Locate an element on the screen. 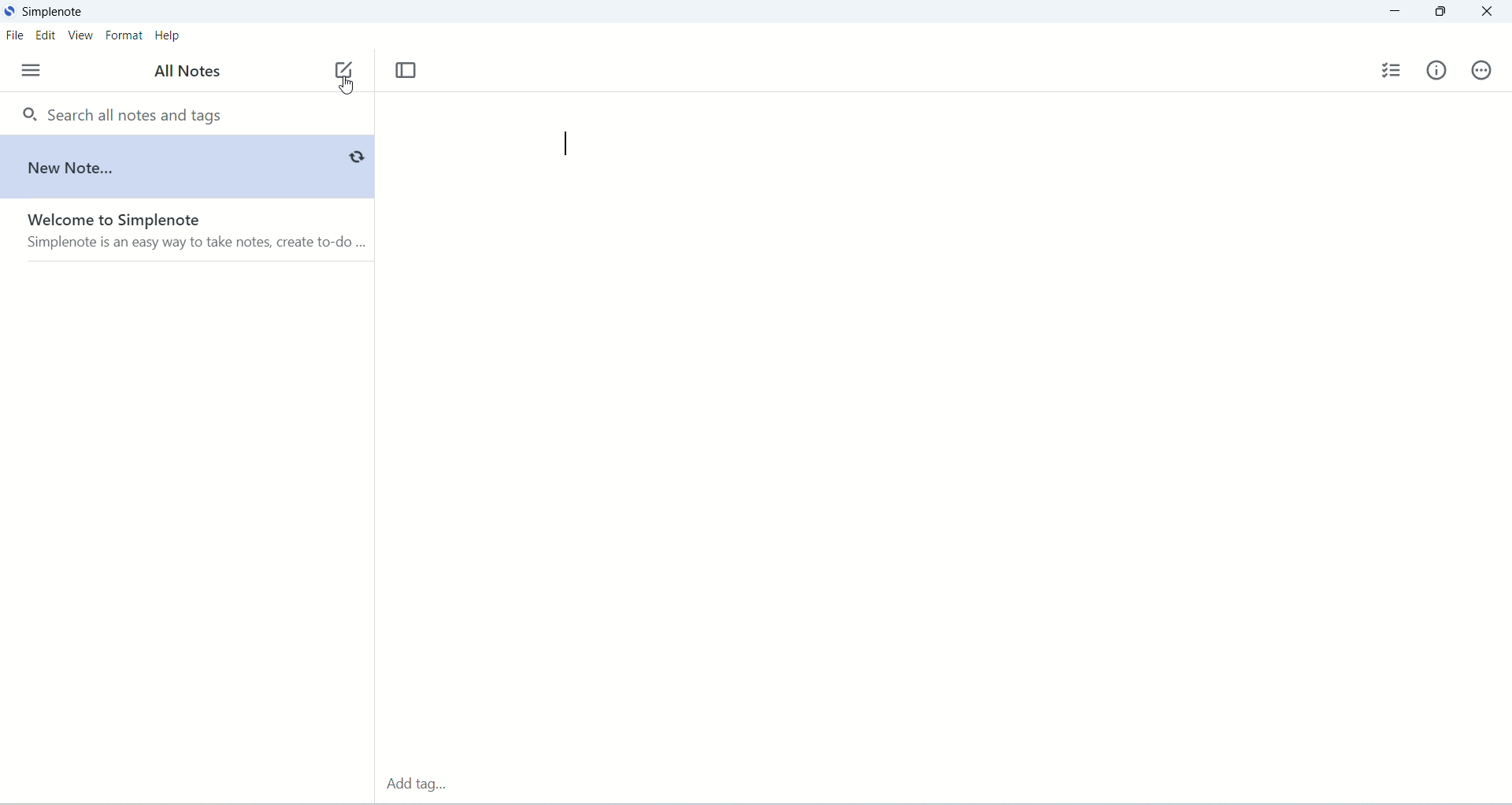 The height and width of the screenshot is (805, 1512). cursor is located at coordinates (568, 147).